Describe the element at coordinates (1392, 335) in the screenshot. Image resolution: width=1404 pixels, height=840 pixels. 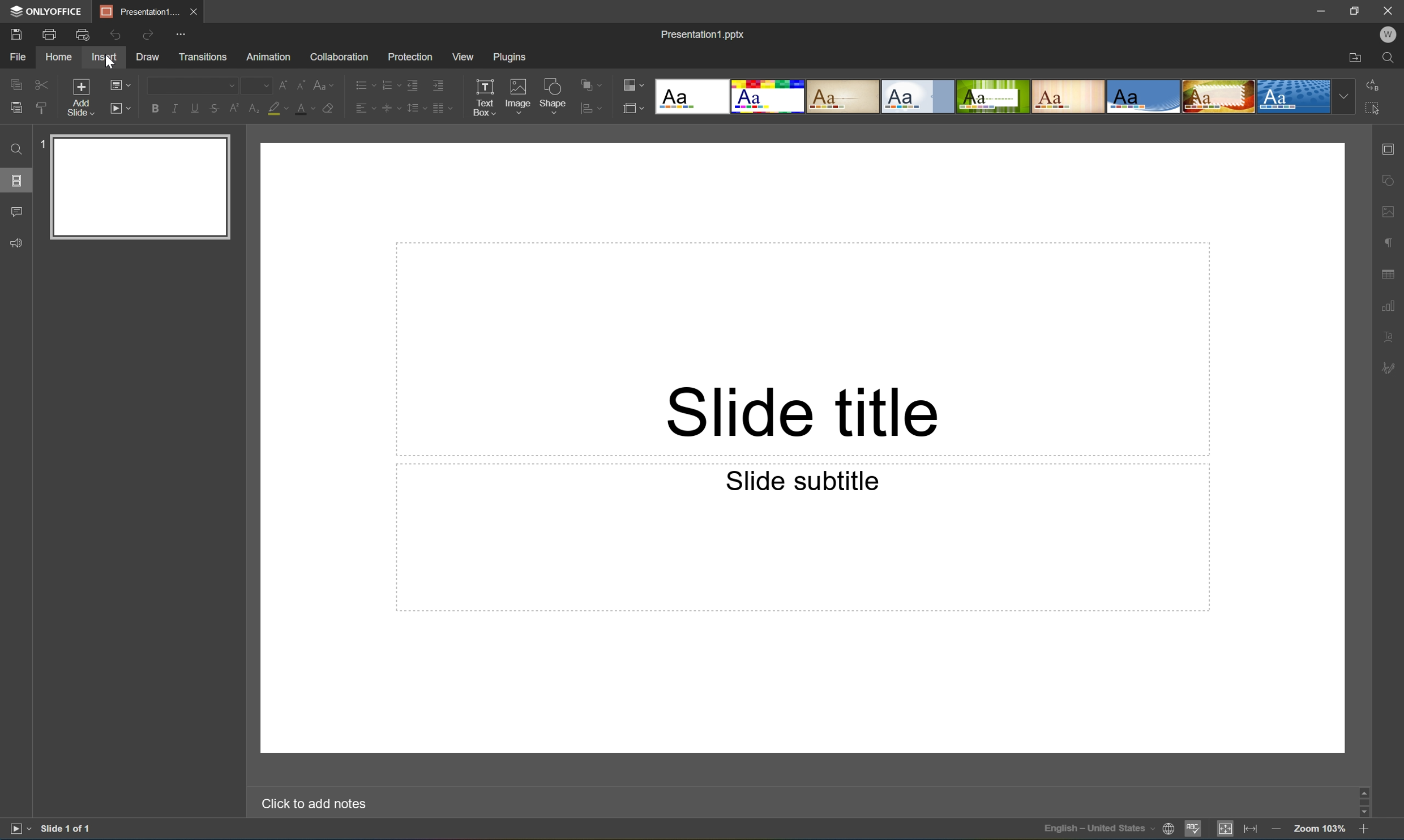
I see `Text Art settings ` at that location.